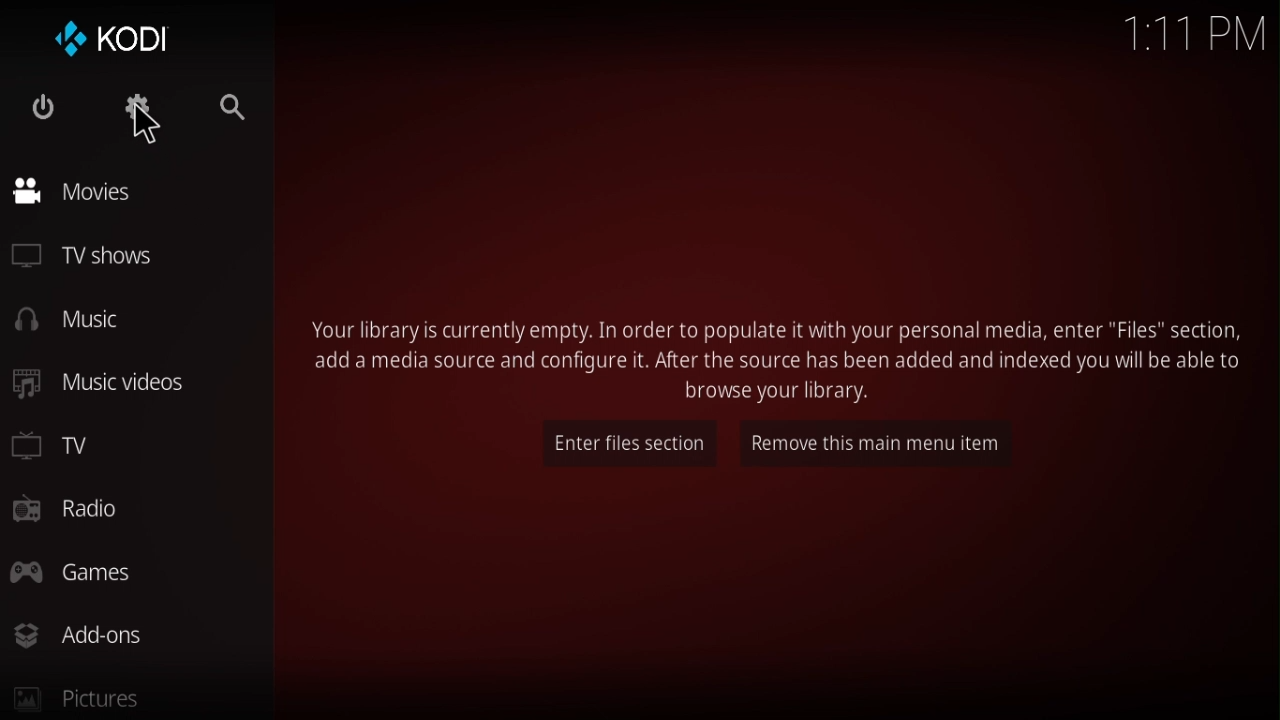 This screenshot has height=720, width=1280. What do you see at coordinates (144, 118) in the screenshot?
I see `setting` at bounding box center [144, 118].